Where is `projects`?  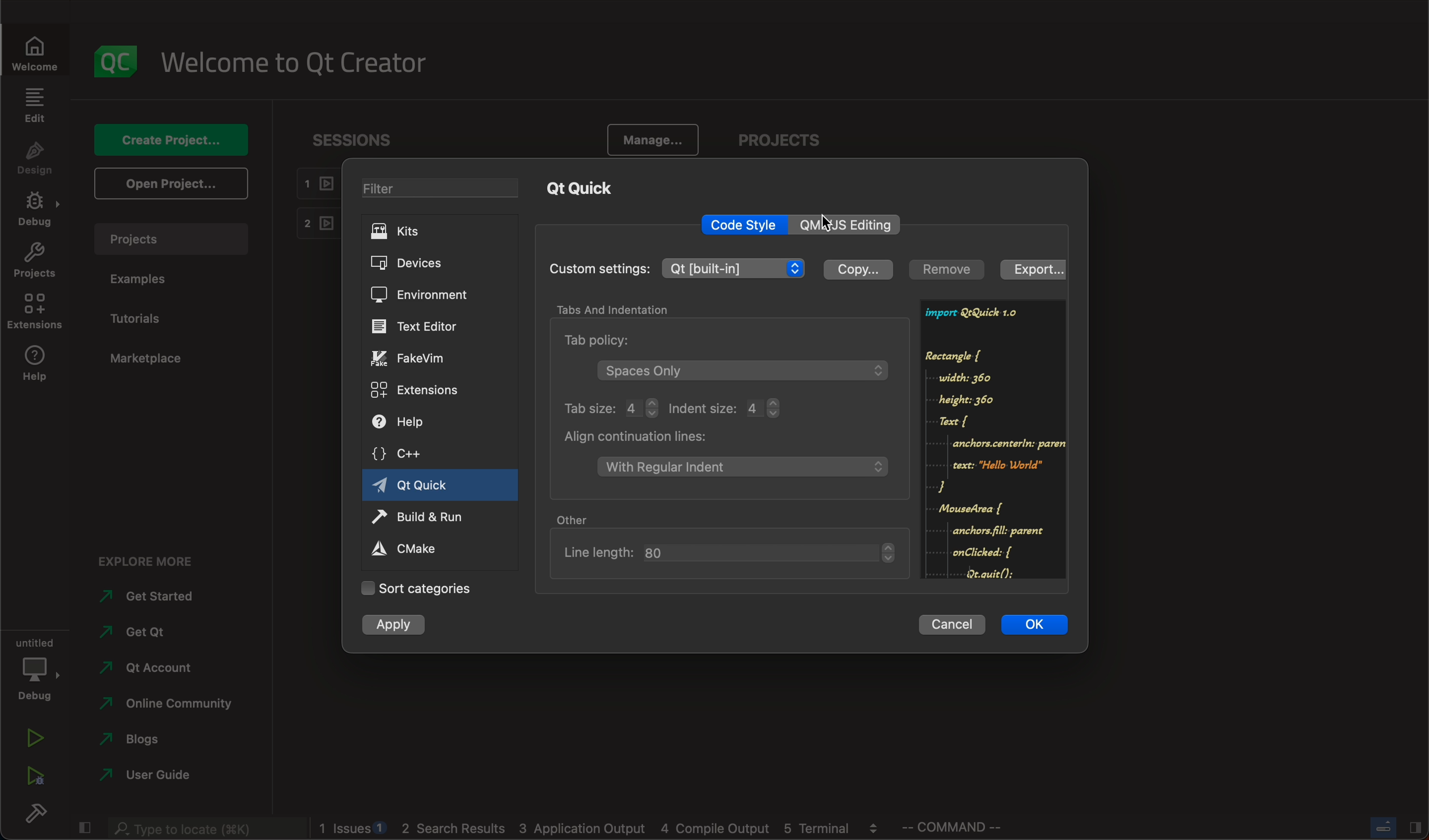 projects is located at coordinates (775, 140).